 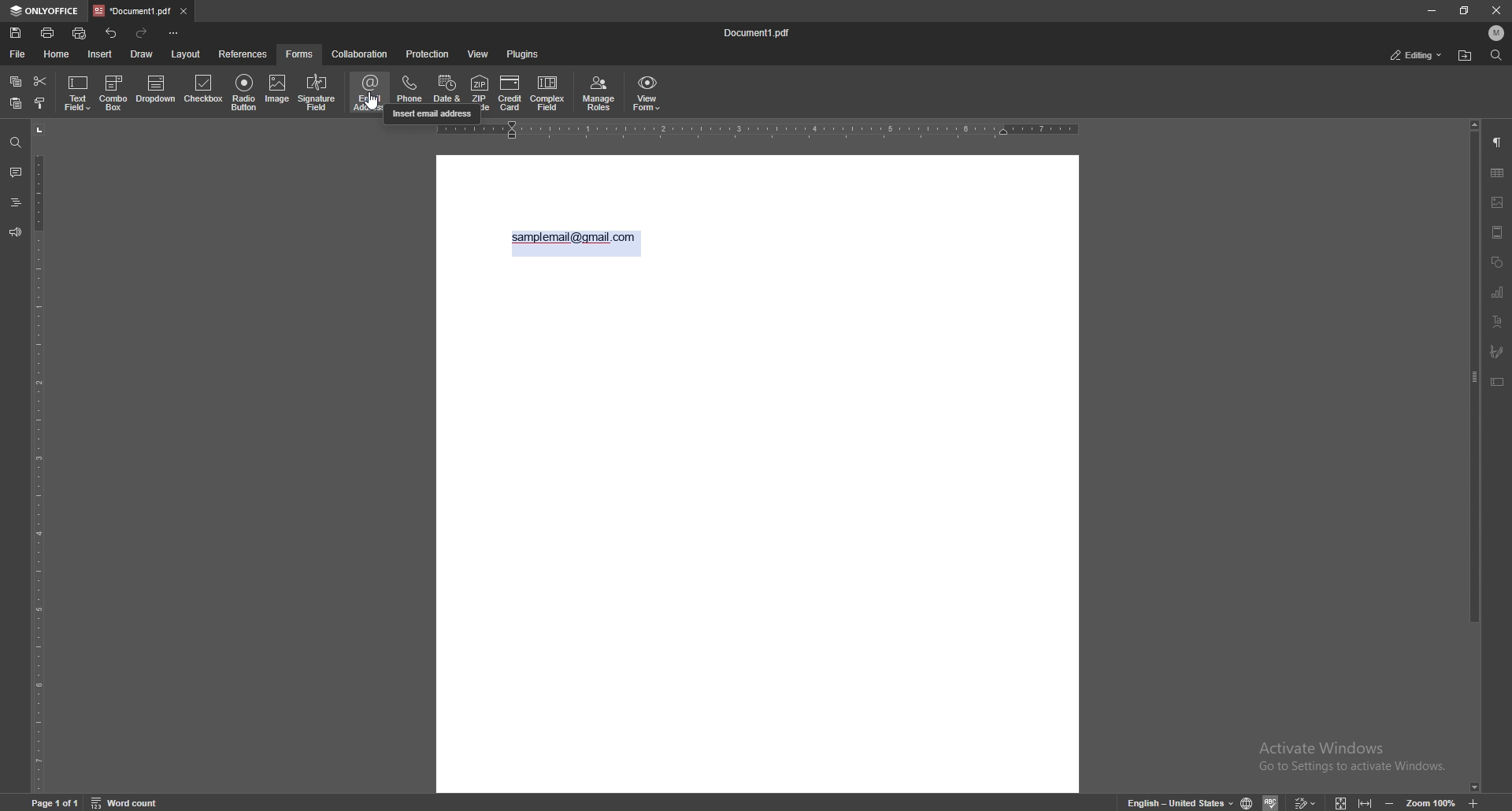 What do you see at coordinates (1473, 800) in the screenshot?
I see `zoom in` at bounding box center [1473, 800].